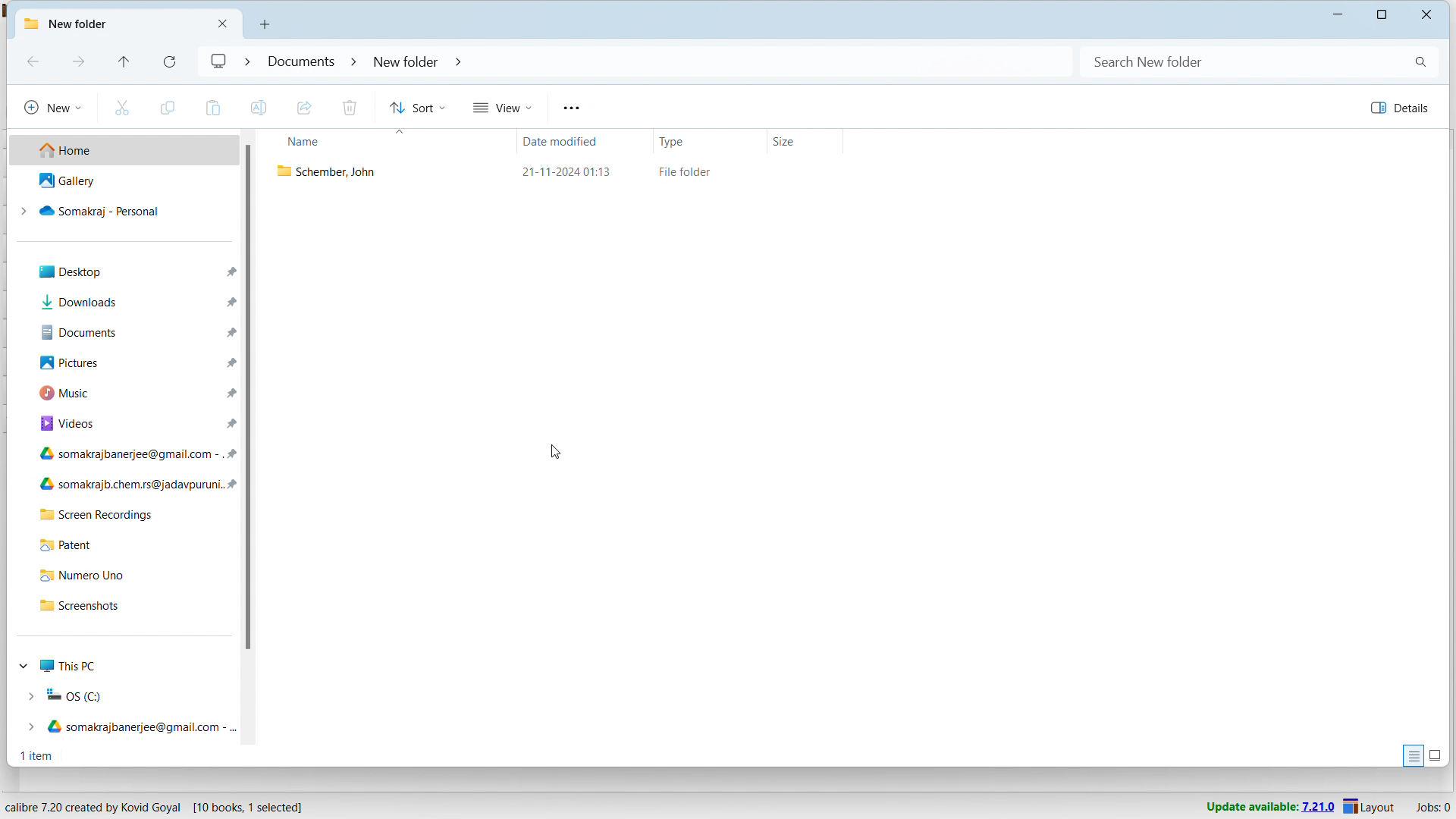 The height and width of the screenshot is (819, 1456). Describe the element at coordinates (131, 301) in the screenshot. I see `downloads` at that location.